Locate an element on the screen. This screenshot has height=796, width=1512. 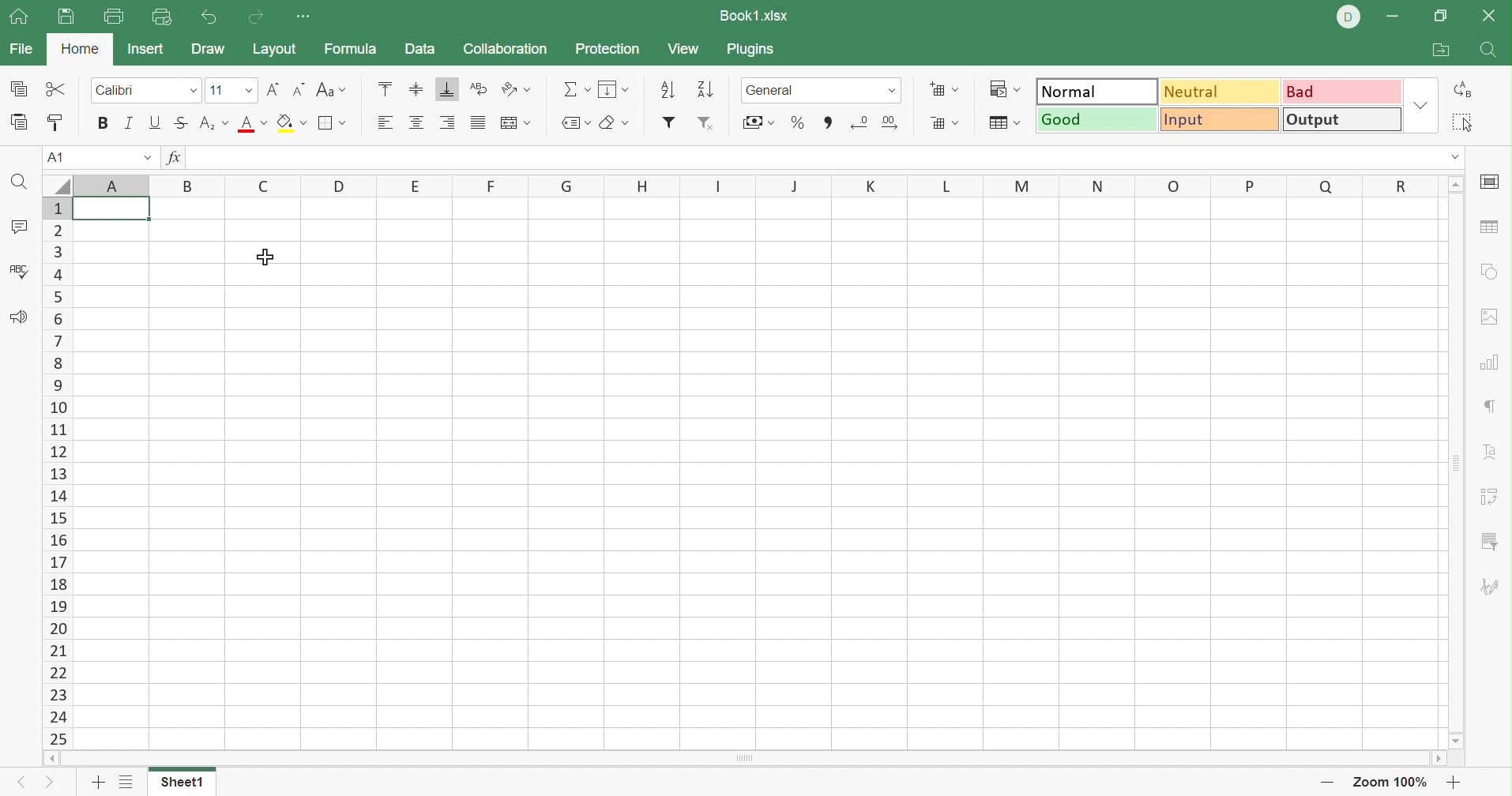
Decrement font size is located at coordinates (296, 90).